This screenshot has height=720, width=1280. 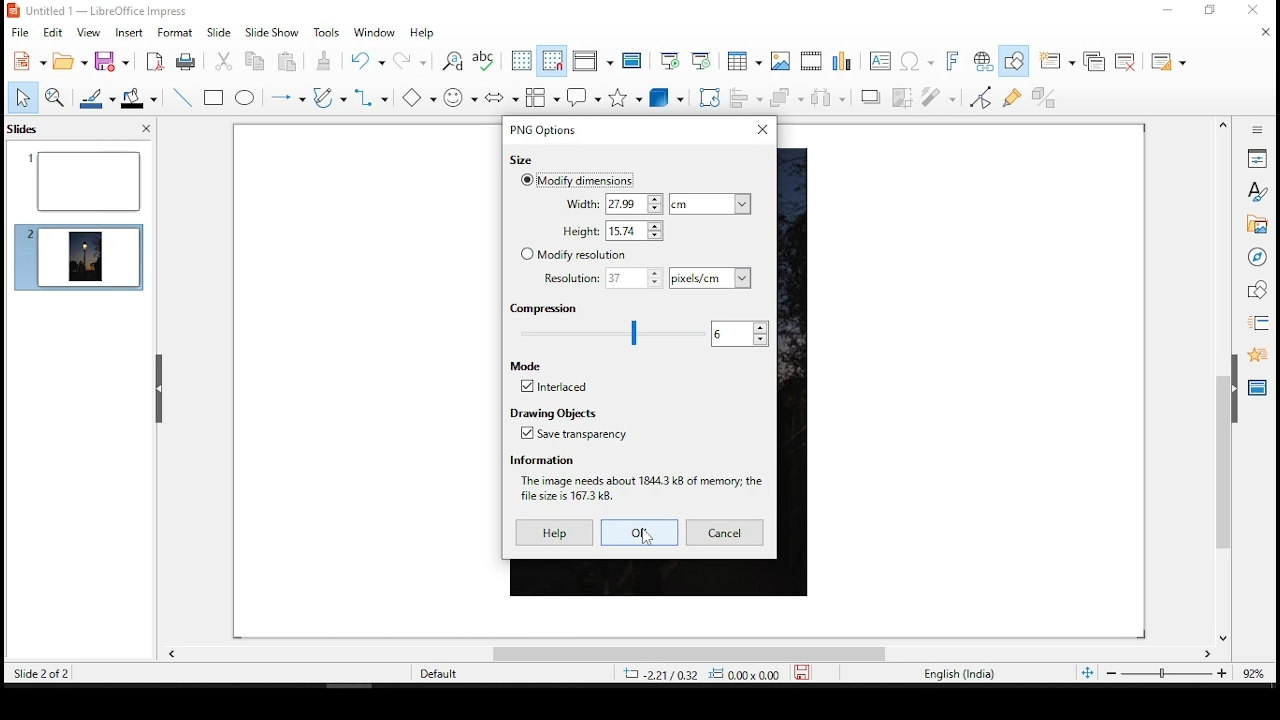 What do you see at coordinates (557, 533) in the screenshot?
I see `help` at bounding box center [557, 533].